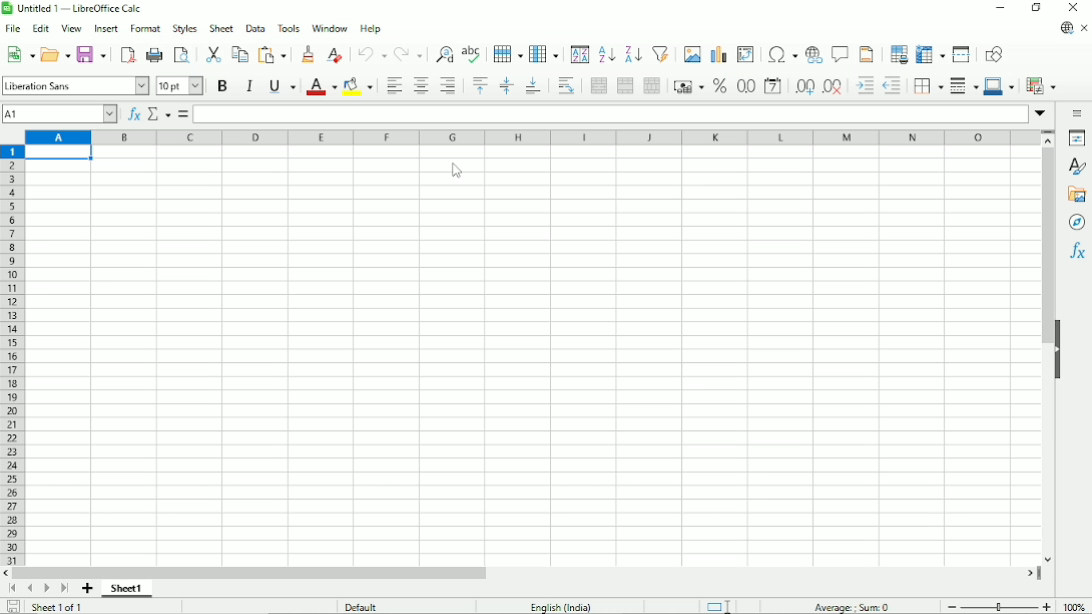 Image resolution: width=1092 pixels, height=614 pixels. What do you see at coordinates (652, 86) in the screenshot?
I see `Unmerge cells` at bounding box center [652, 86].